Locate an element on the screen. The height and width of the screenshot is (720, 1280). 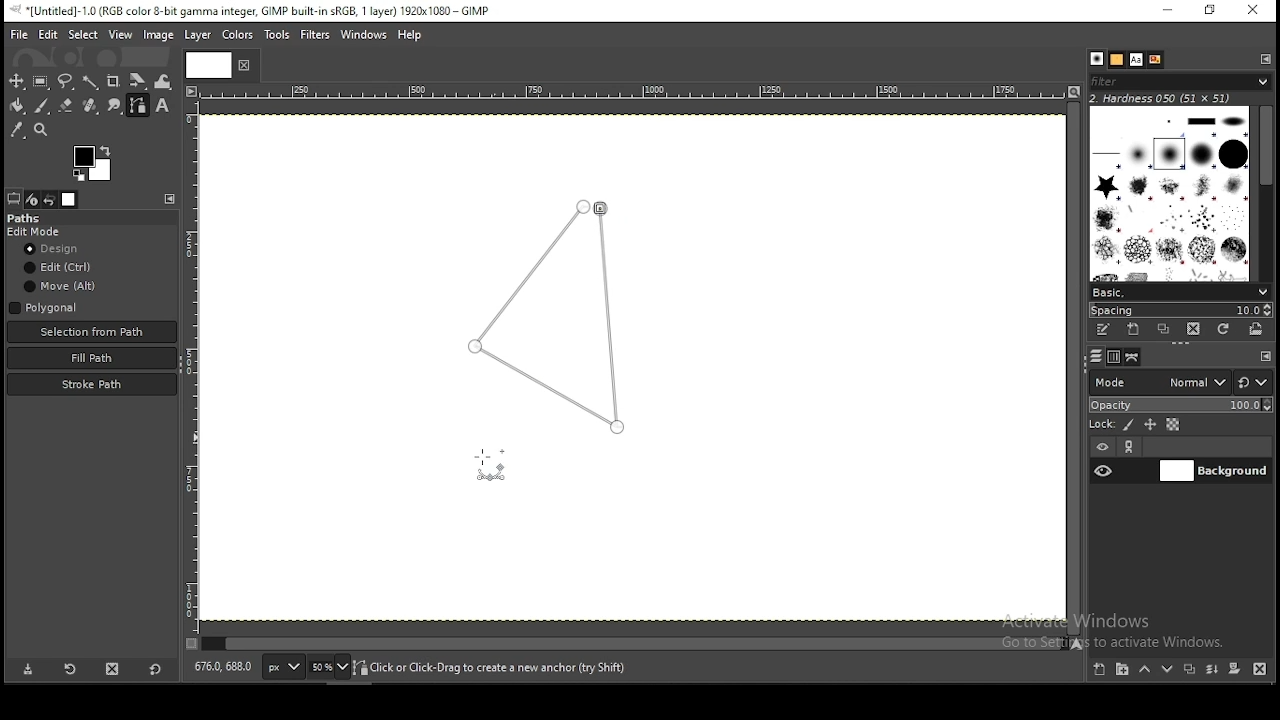
fuzzy selection tool is located at coordinates (90, 81).